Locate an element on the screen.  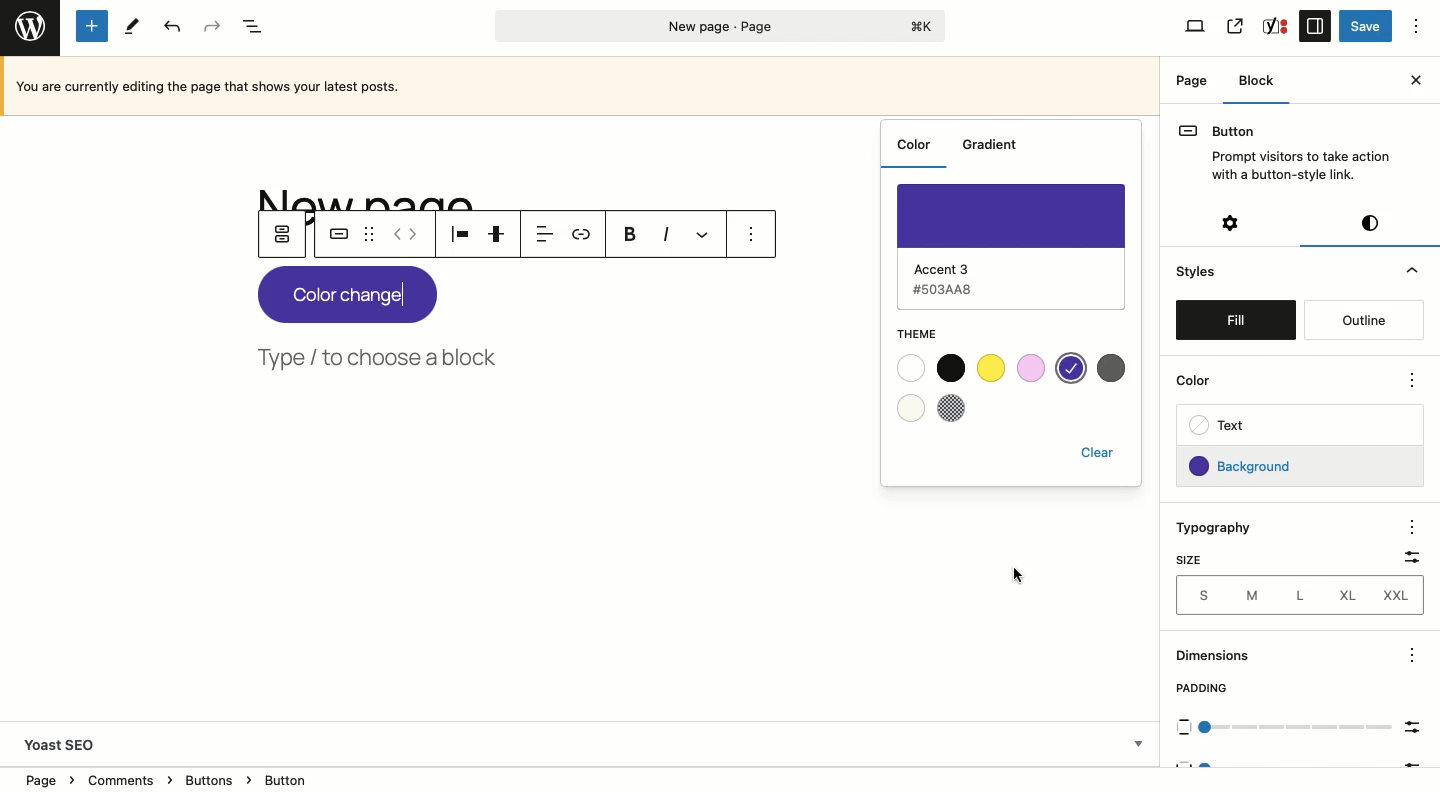
Clear is located at coordinates (1100, 452).